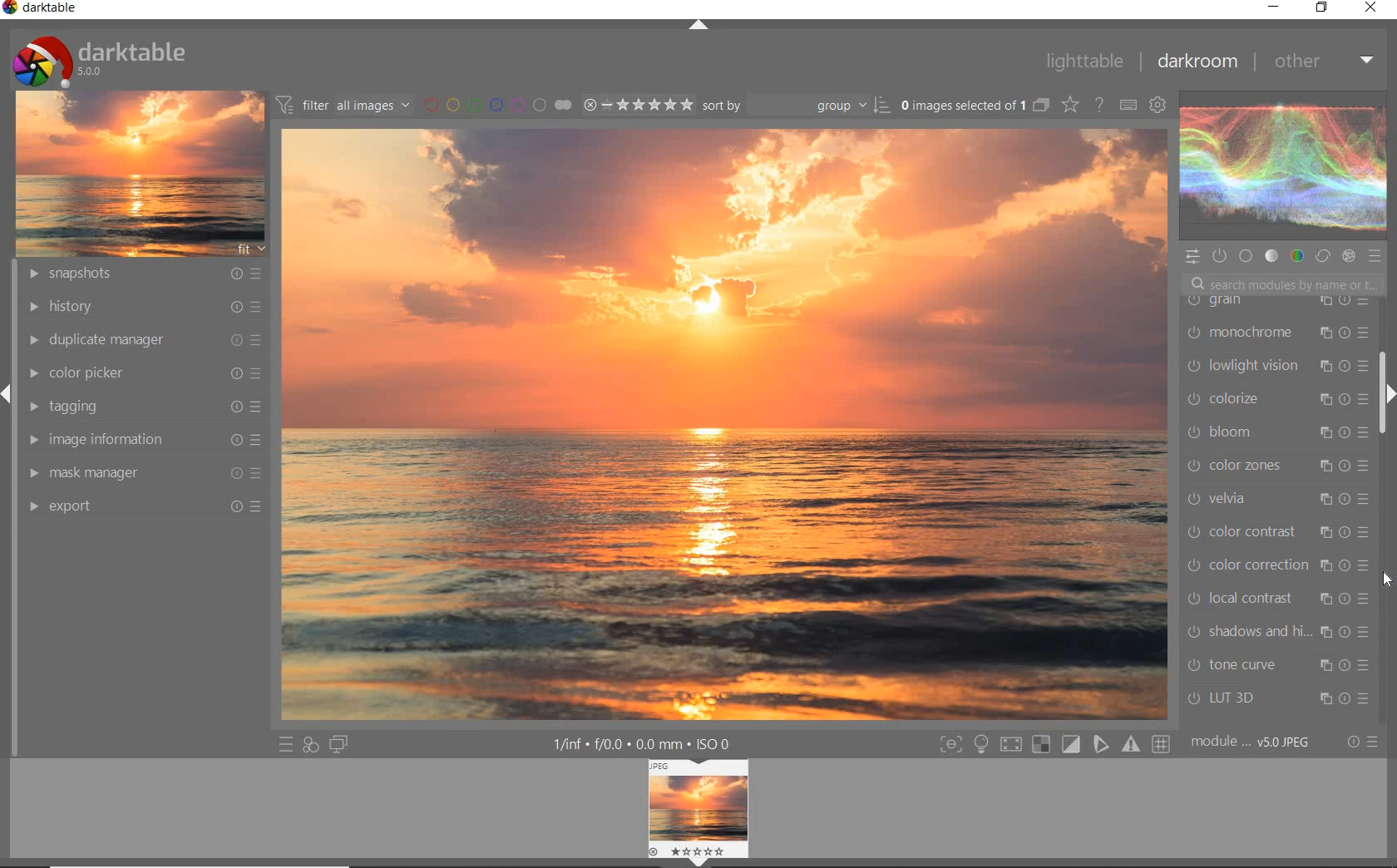 This screenshot has height=868, width=1397. What do you see at coordinates (1277, 533) in the screenshot?
I see `color contrast` at bounding box center [1277, 533].